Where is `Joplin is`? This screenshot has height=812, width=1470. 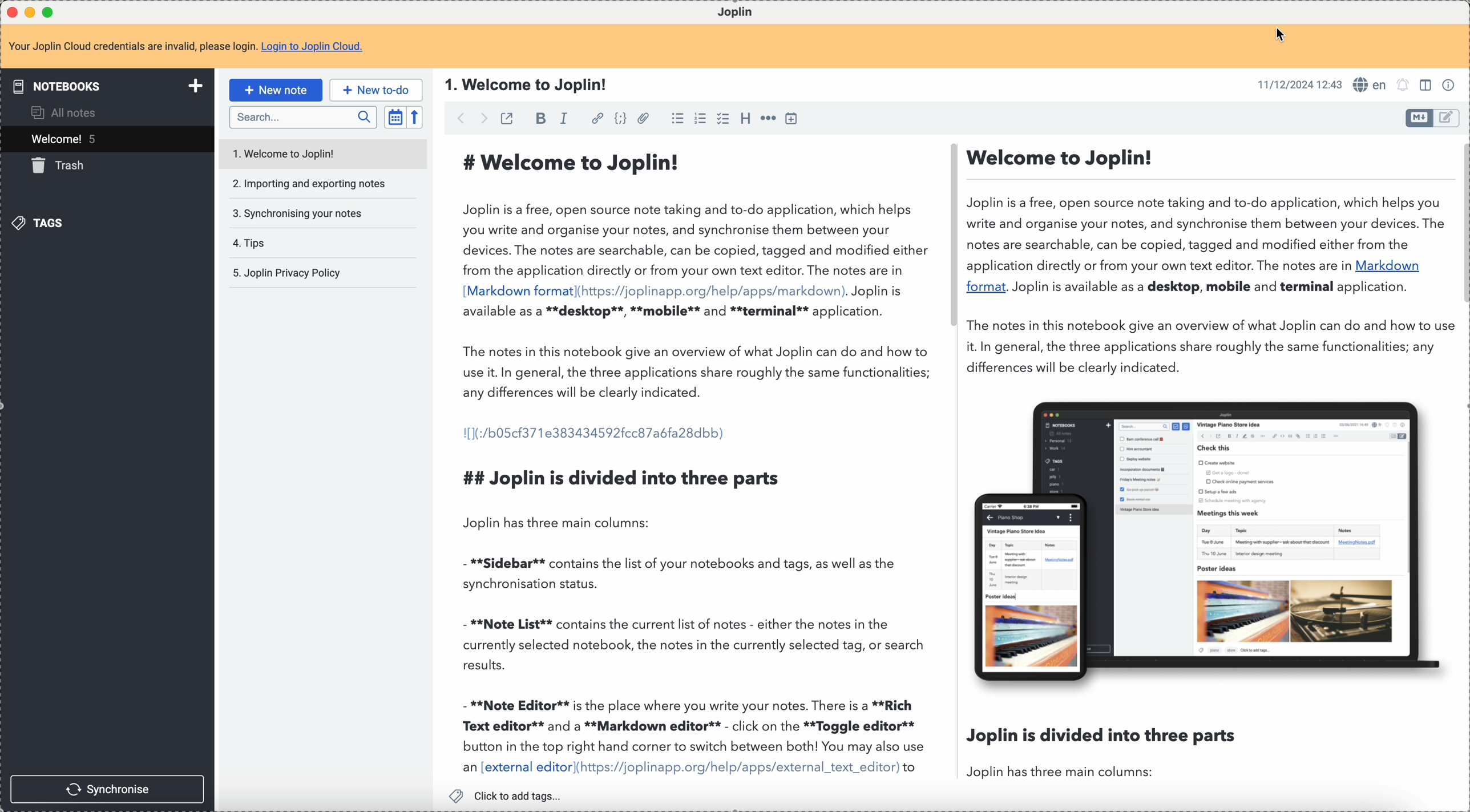
Joplin is is located at coordinates (878, 290).